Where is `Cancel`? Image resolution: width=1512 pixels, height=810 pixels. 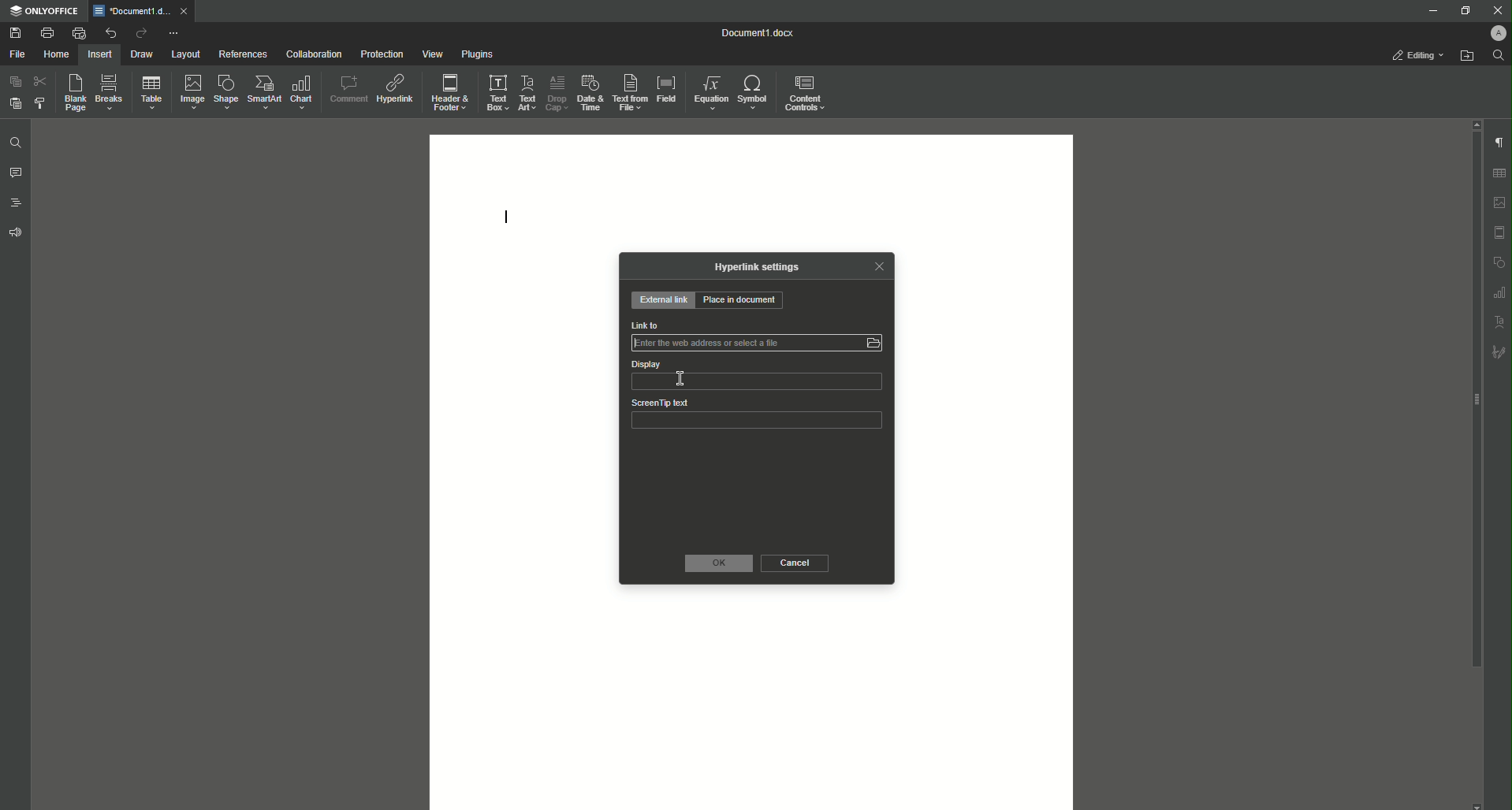 Cancel is located at coordinates (799, 563).